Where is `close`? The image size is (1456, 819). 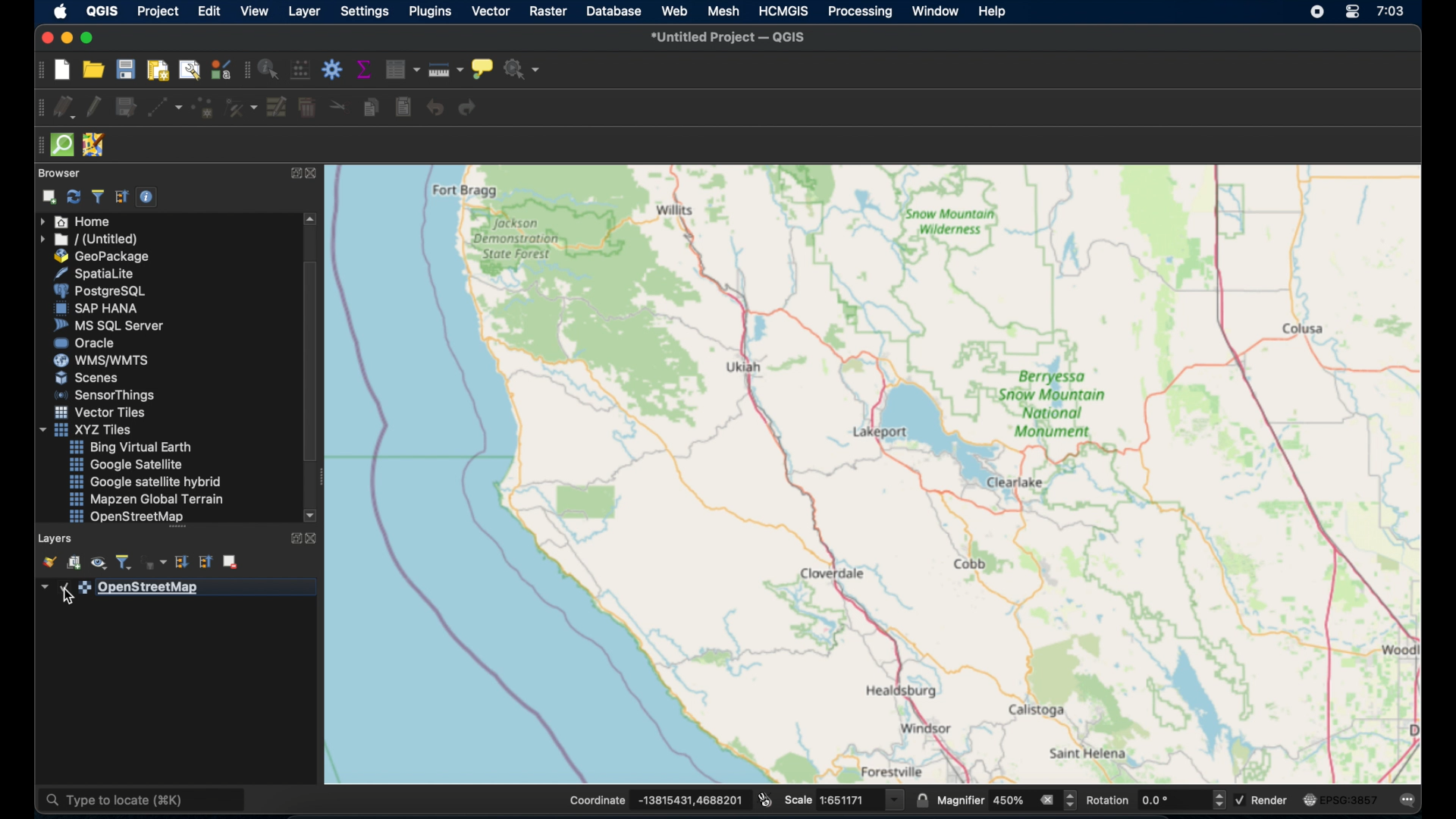
close is located at coordinates (314, 174).